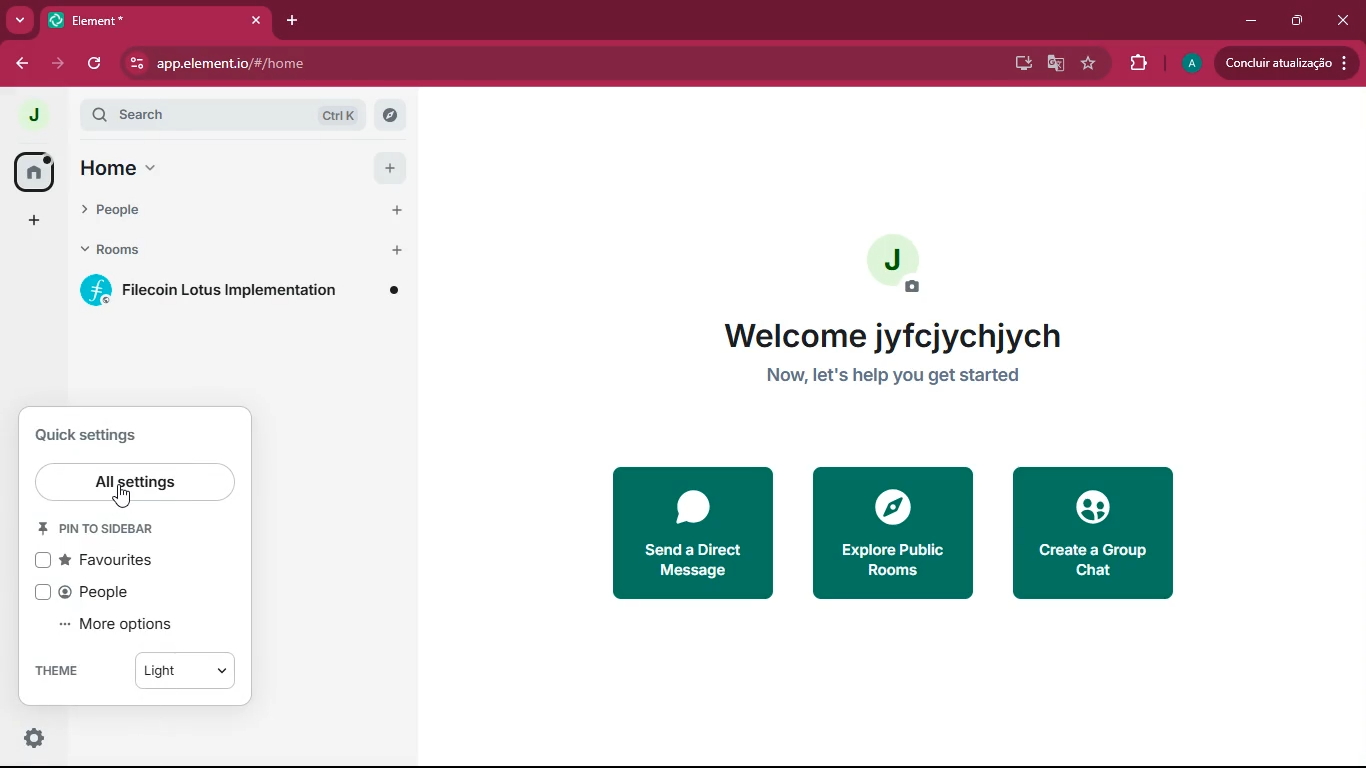 The height and width of the screenshot is (768, 1366). Describe the element at coordinates (1089, 65) in the screenshot. I see `bookmark` at that location.